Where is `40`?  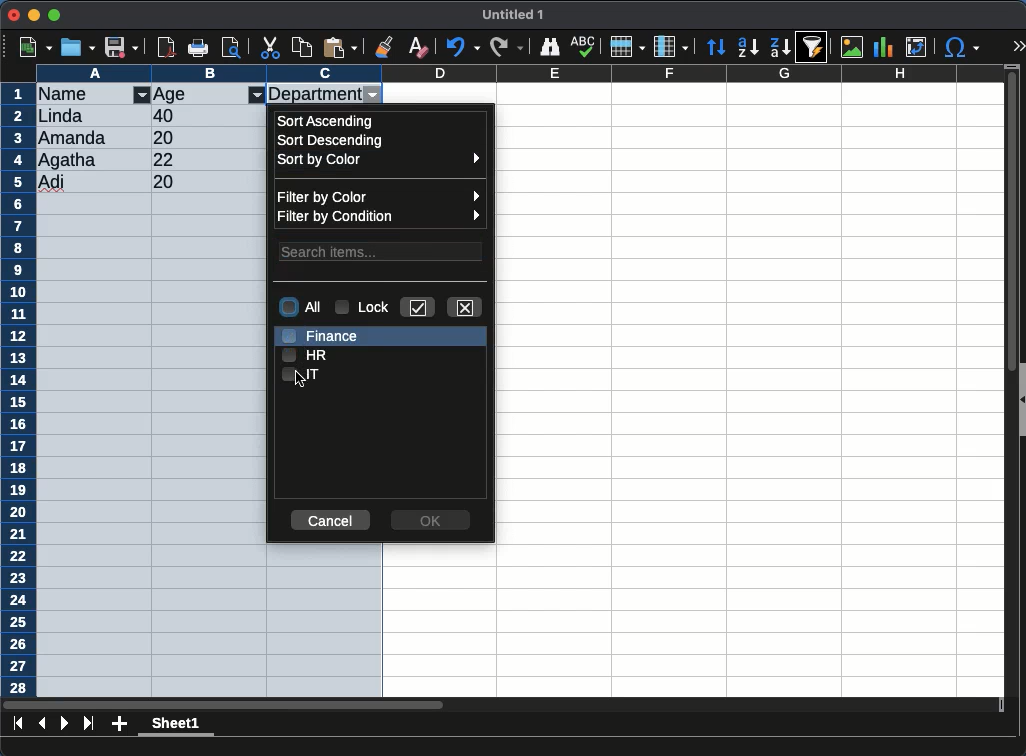
40 is located at coordinates (164, 116).